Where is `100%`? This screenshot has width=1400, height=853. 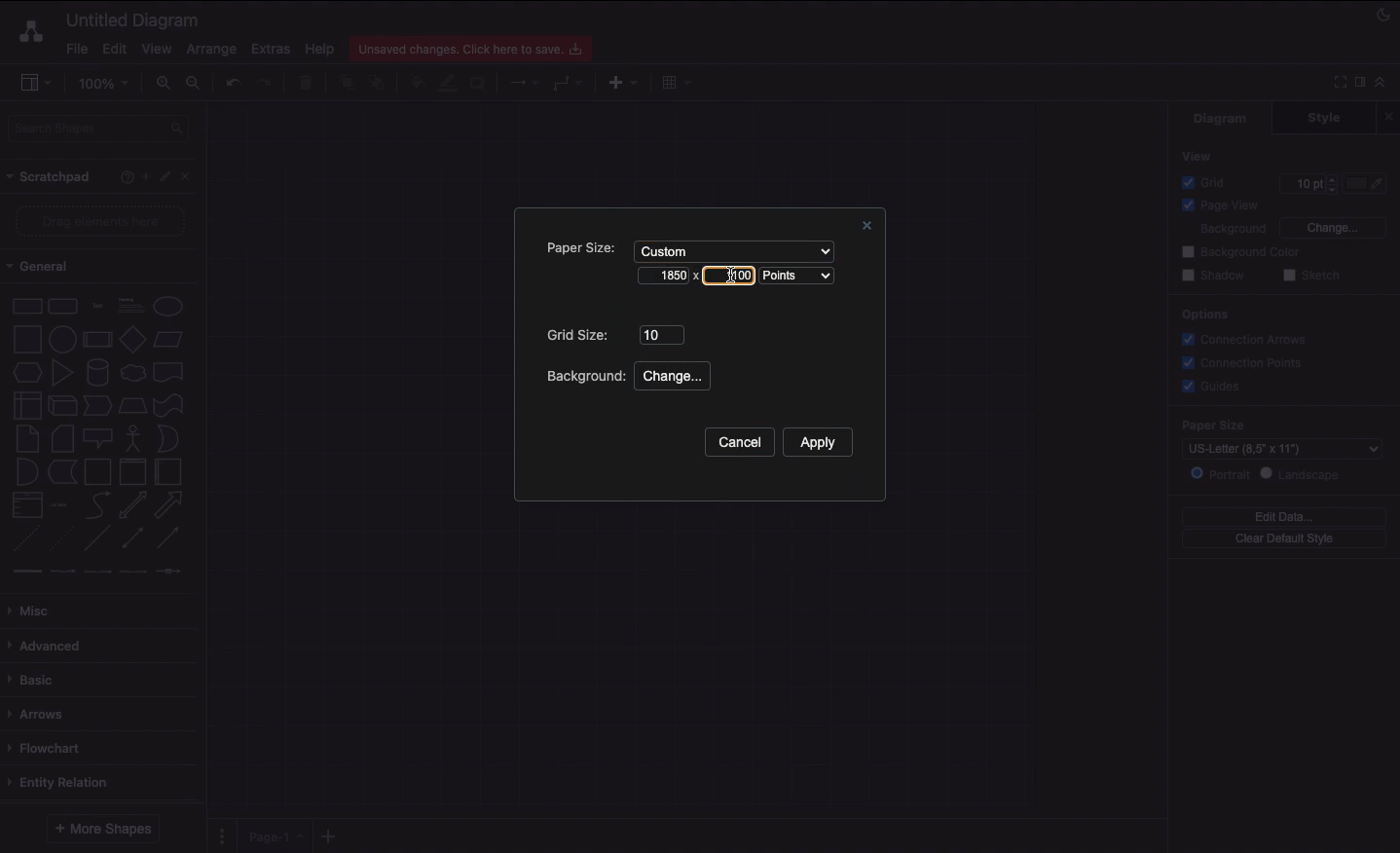 100% is located at coordinates (106, 84).